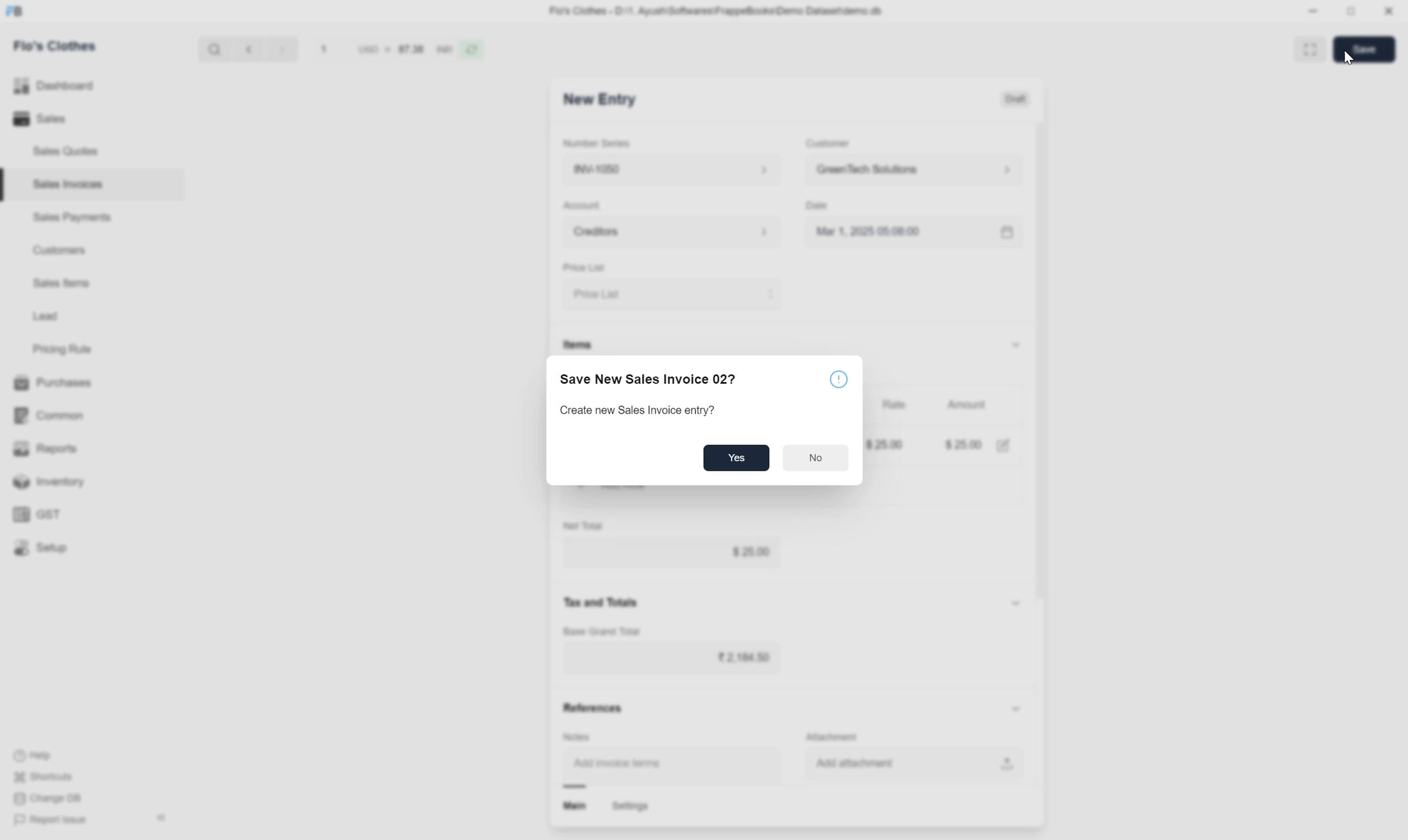  Describe the element at coordinates (212, 52) in the screenshot. I see `search ` at that location.